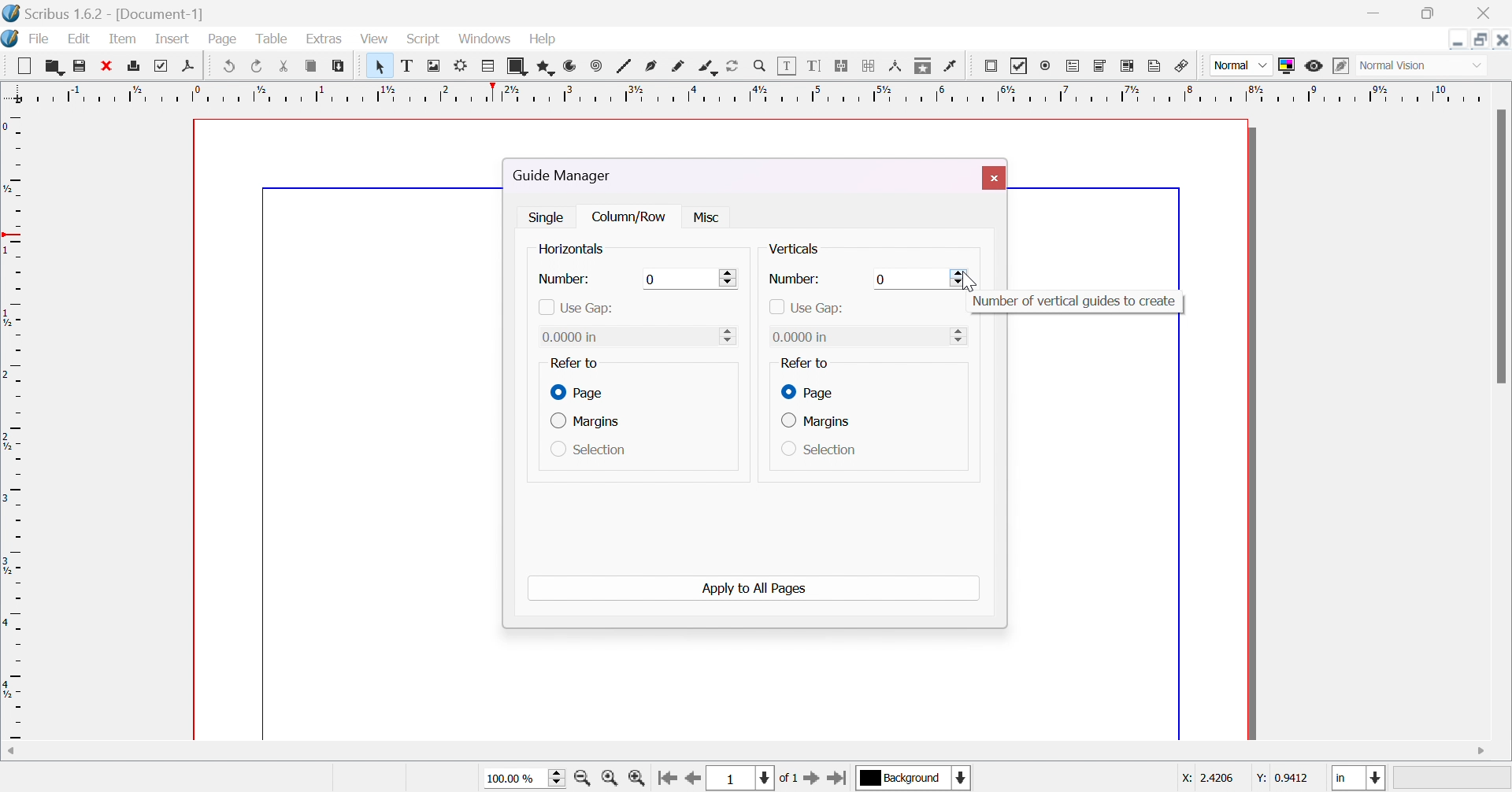  Describe the element at coordinates (638, 777) in the screenshot. I see `zoom in` at that location.